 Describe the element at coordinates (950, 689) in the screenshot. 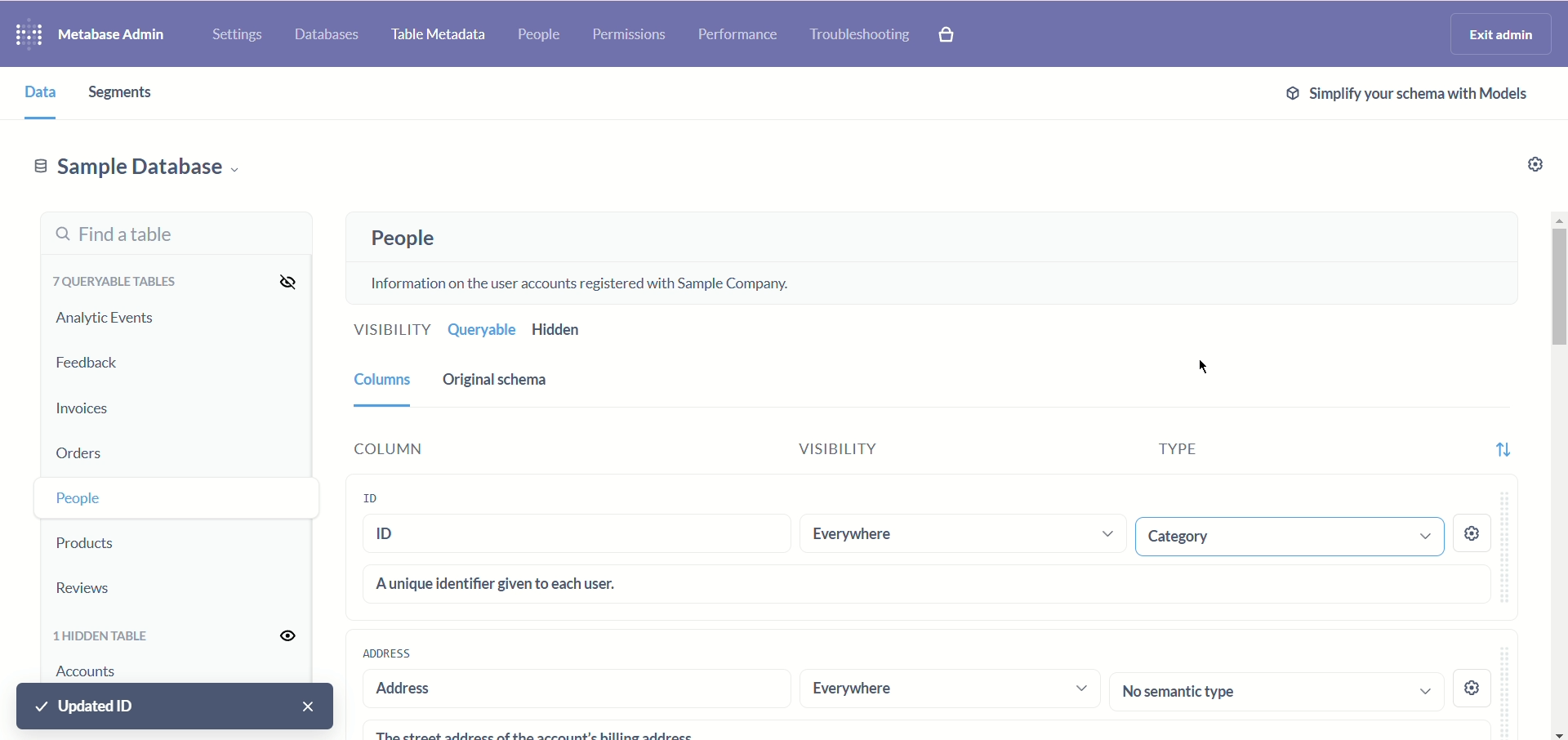

I see `Everywhere` at that location.